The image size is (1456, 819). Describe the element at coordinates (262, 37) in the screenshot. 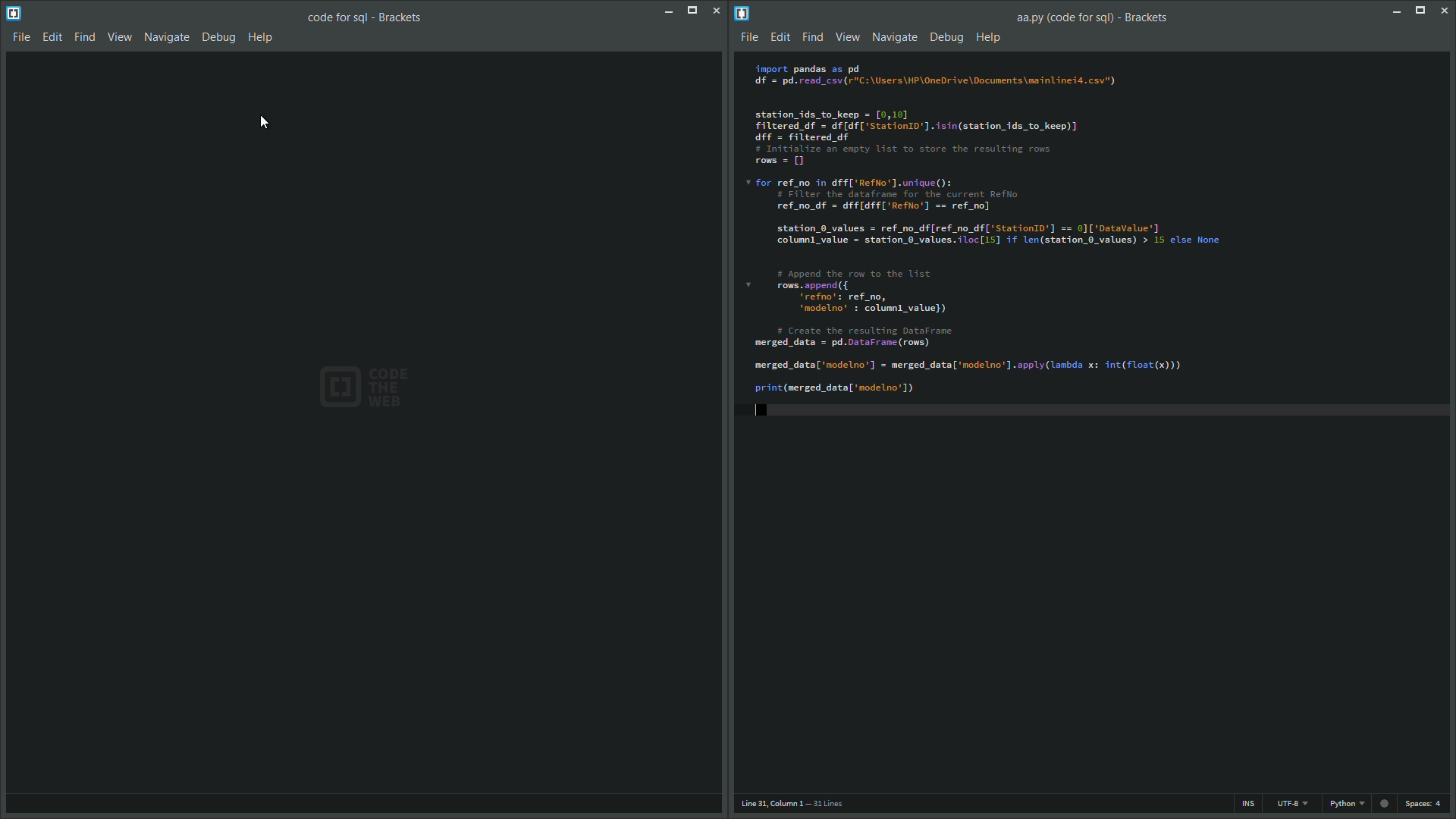

I see `Help` at that location.